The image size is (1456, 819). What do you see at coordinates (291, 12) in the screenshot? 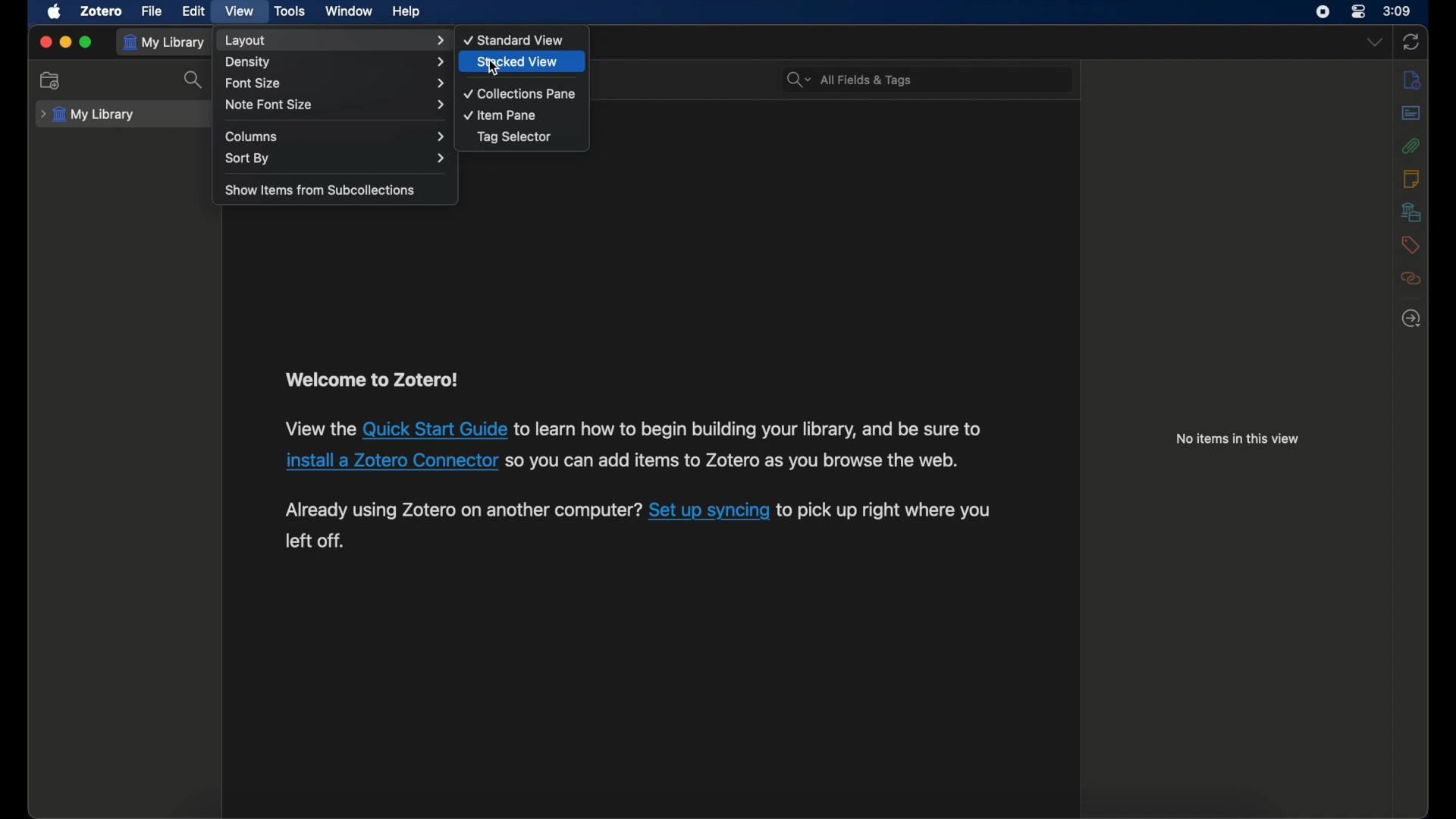
I see `tools` at bounding box center [291, 12].